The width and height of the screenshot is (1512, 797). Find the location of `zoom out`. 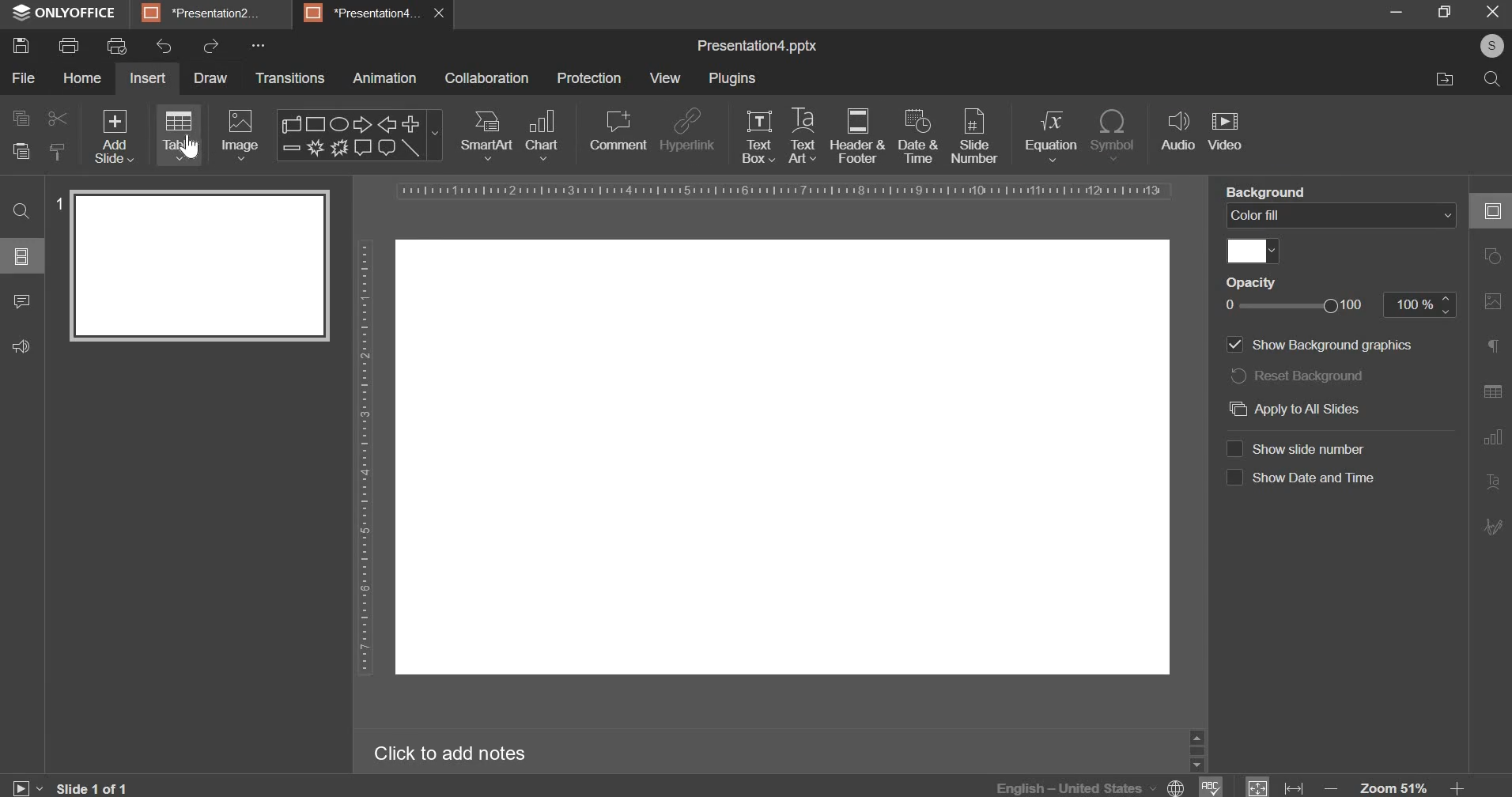

zoom out is located at coordinates (1331, 788).